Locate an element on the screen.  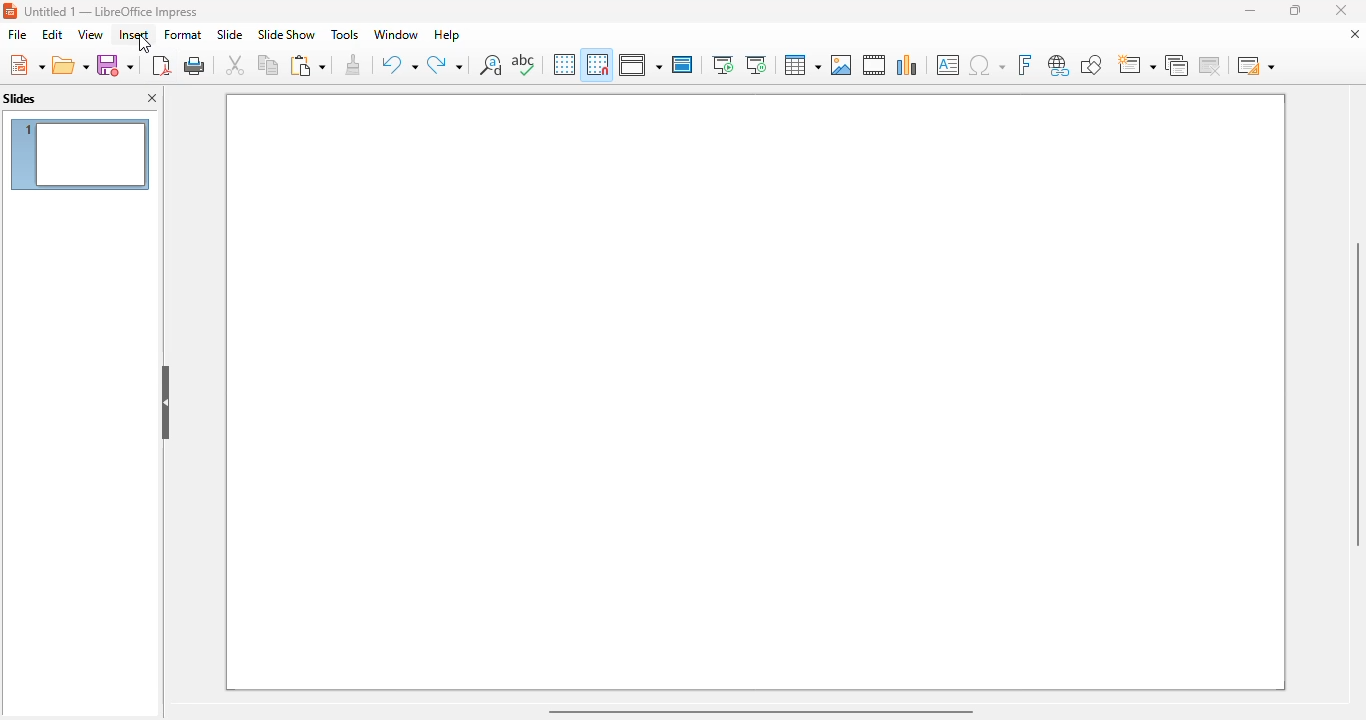
open is located at coordinates (71, 66).